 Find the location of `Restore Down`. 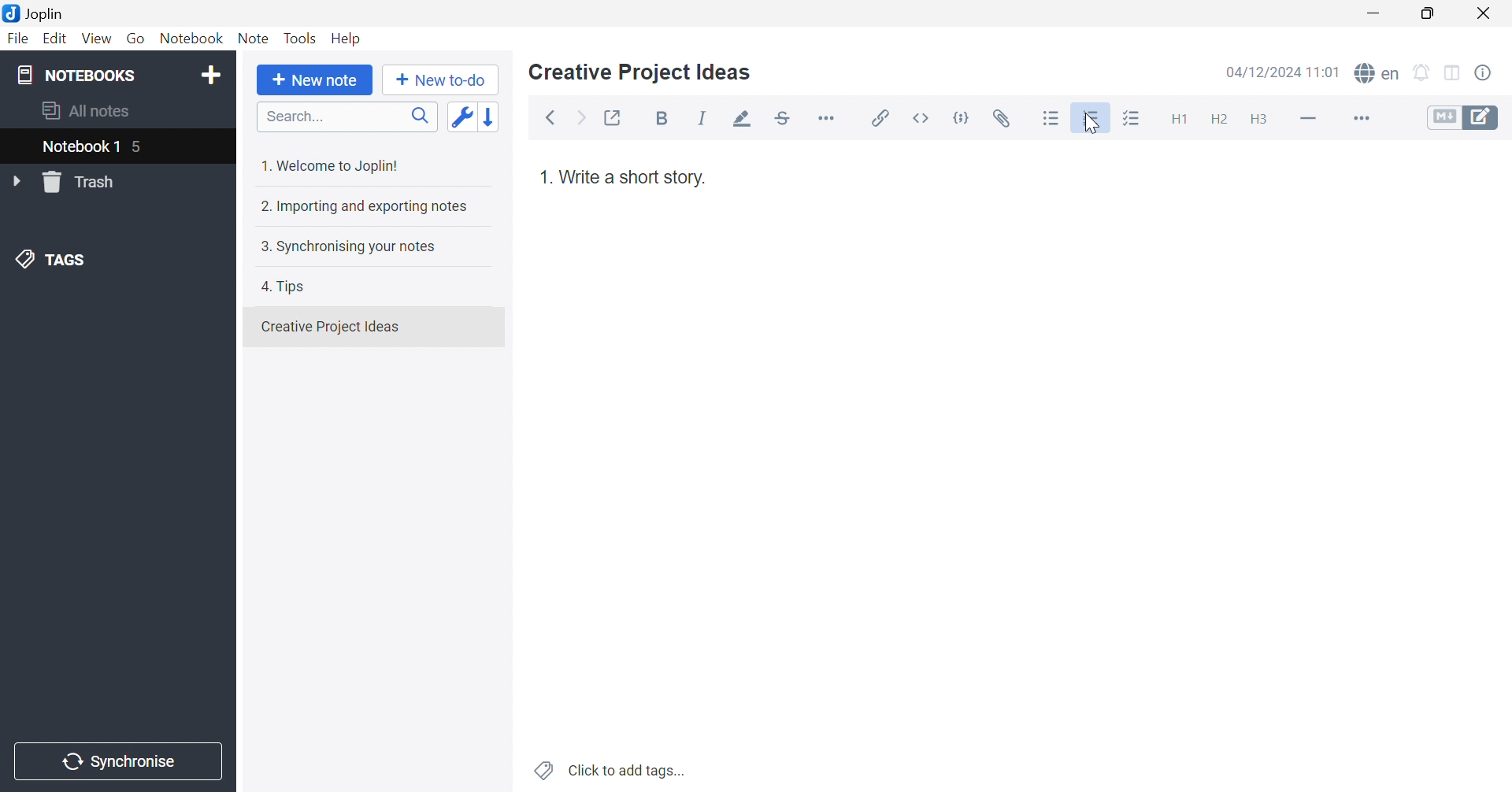

Restore Down is located at coordinates (1435, 15).